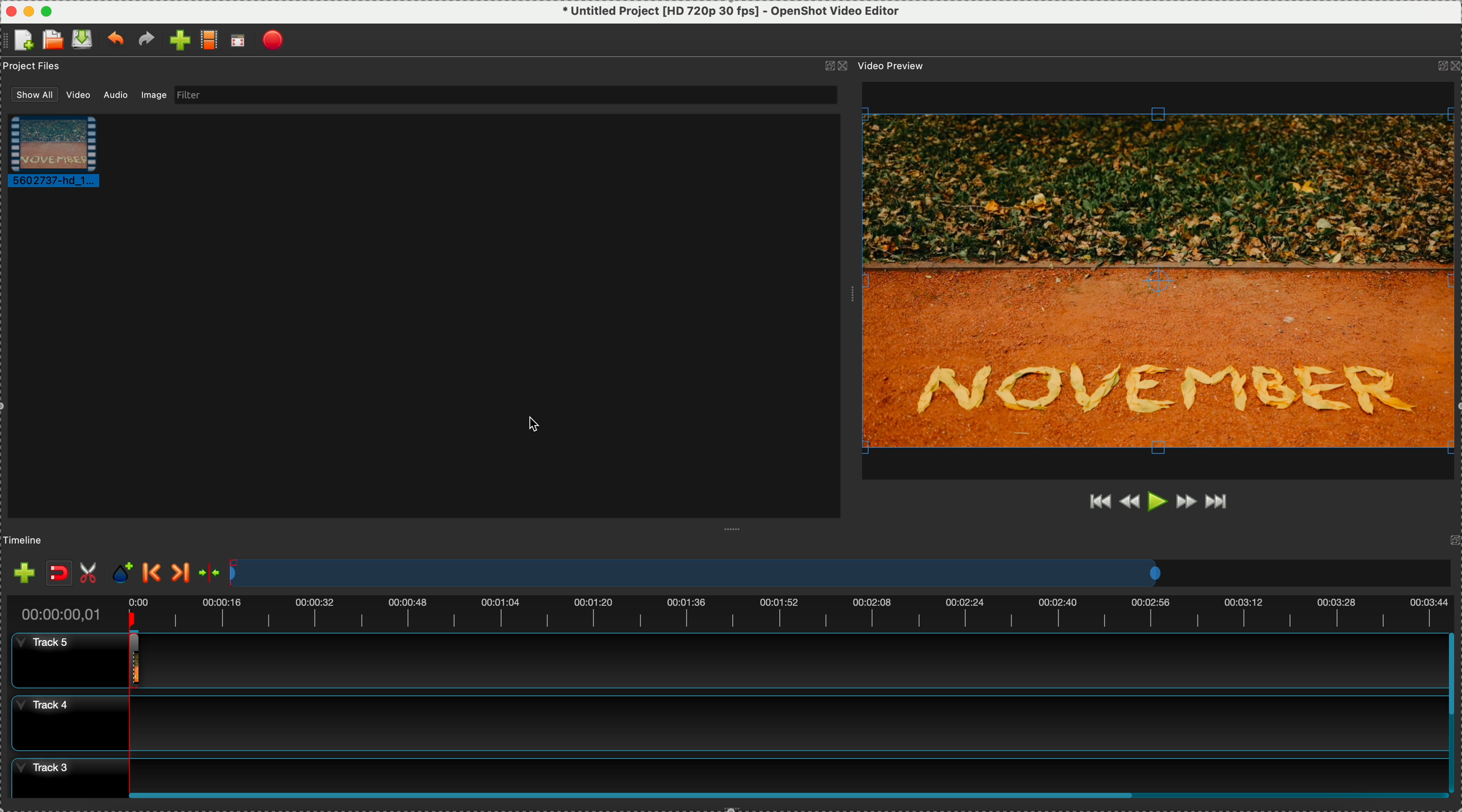  What do you see at coordinates (1453, 710) in the screenshot?
I see `scroll bar` at bounding box center [1453, 710].